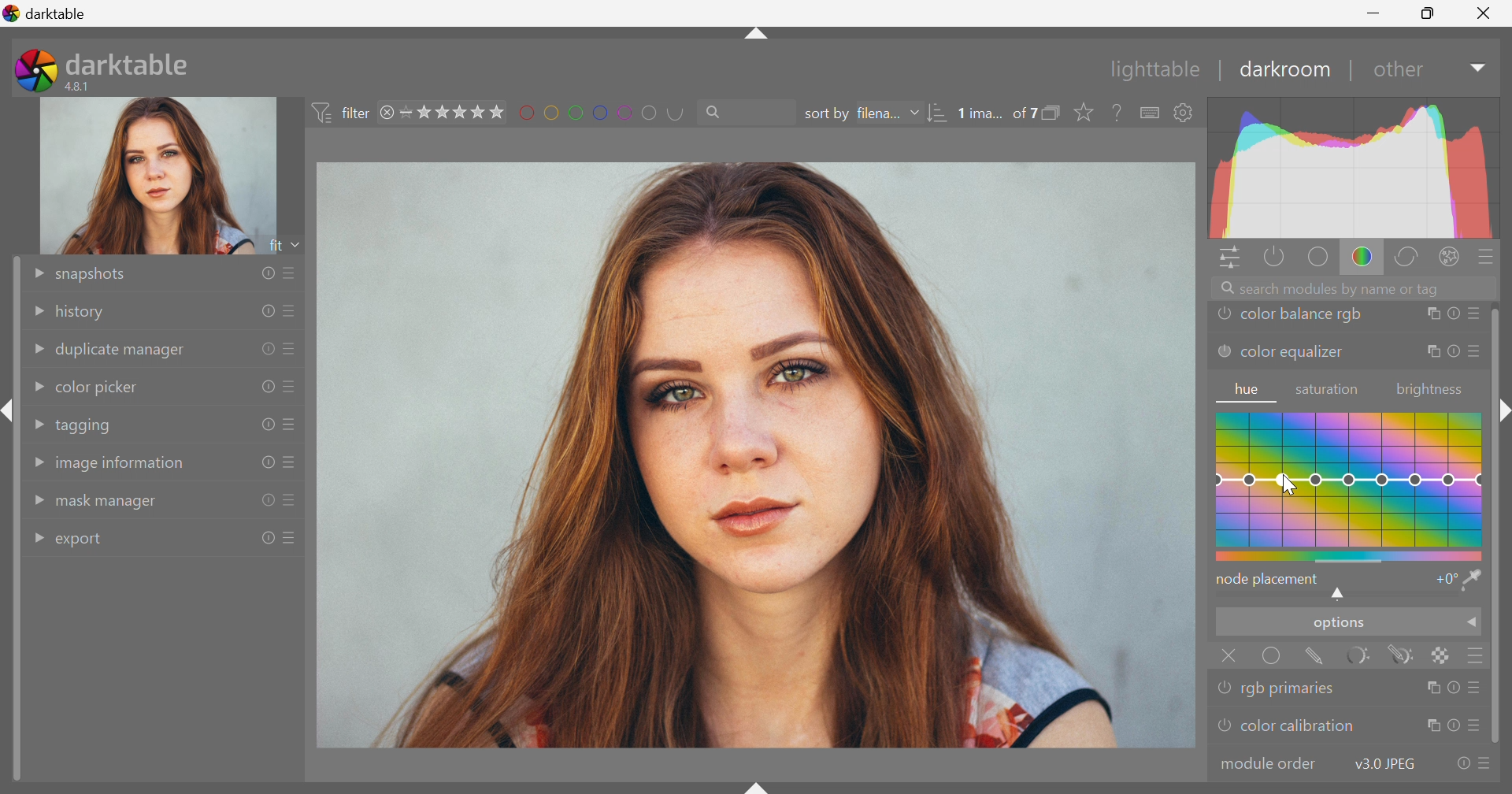 This screenshot has width=1512, height=794. I want to click on hue, so click(1350, 484).